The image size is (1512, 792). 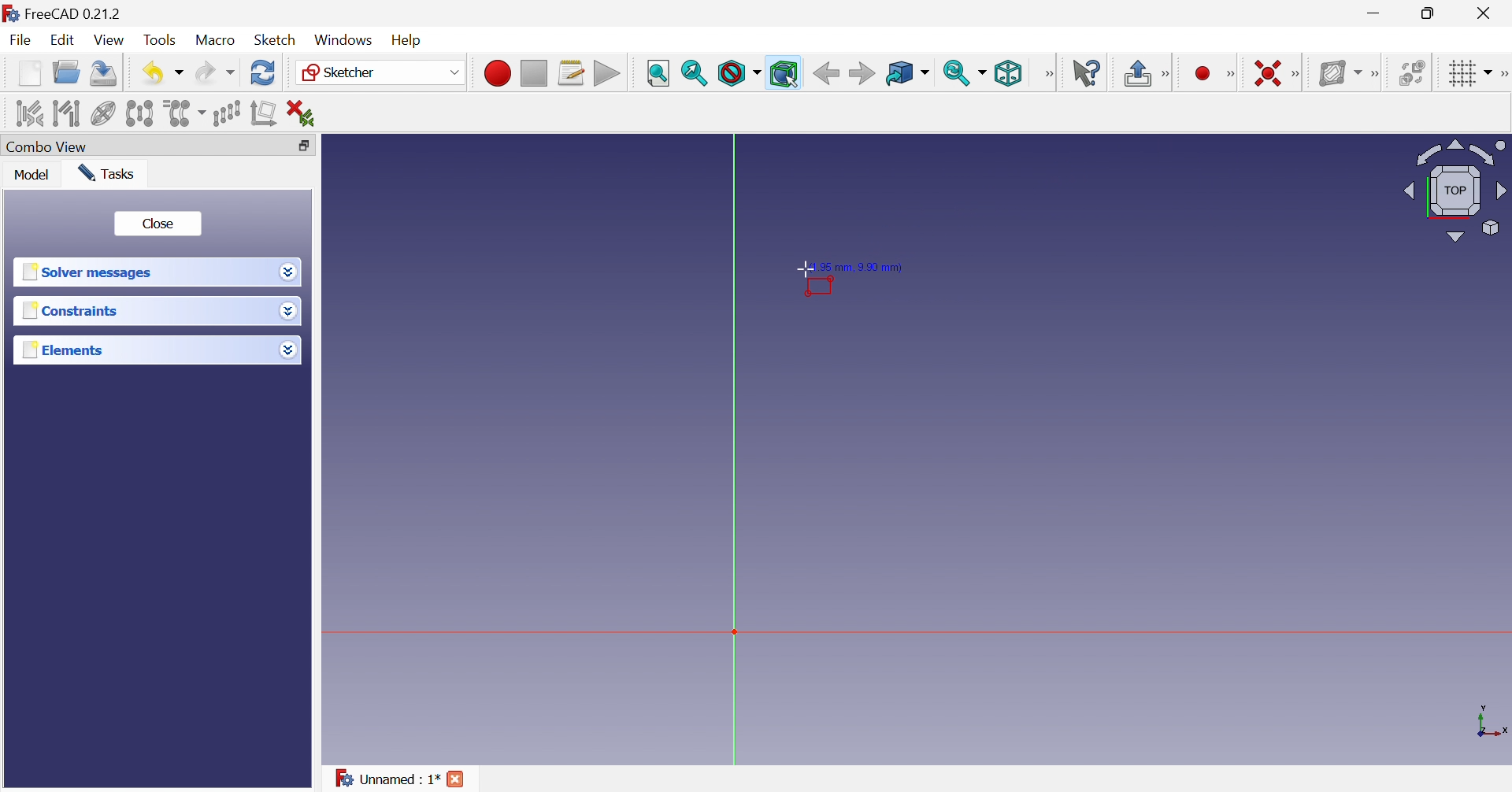 I want to click on Refresh, so click(x=264, y=73).